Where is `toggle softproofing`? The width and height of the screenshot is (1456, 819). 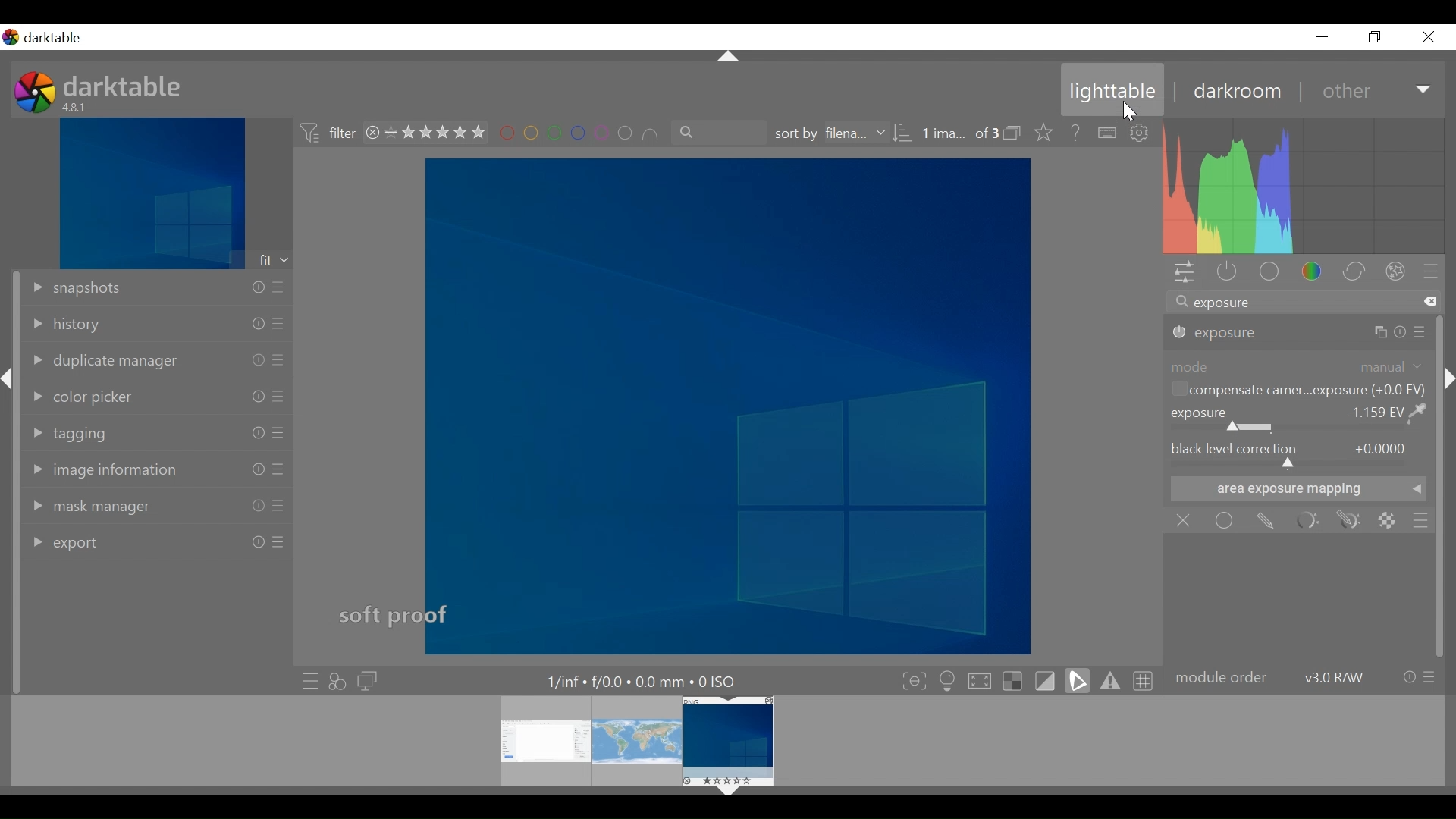 toggle softproofing is located at coordinates (1045, 679).